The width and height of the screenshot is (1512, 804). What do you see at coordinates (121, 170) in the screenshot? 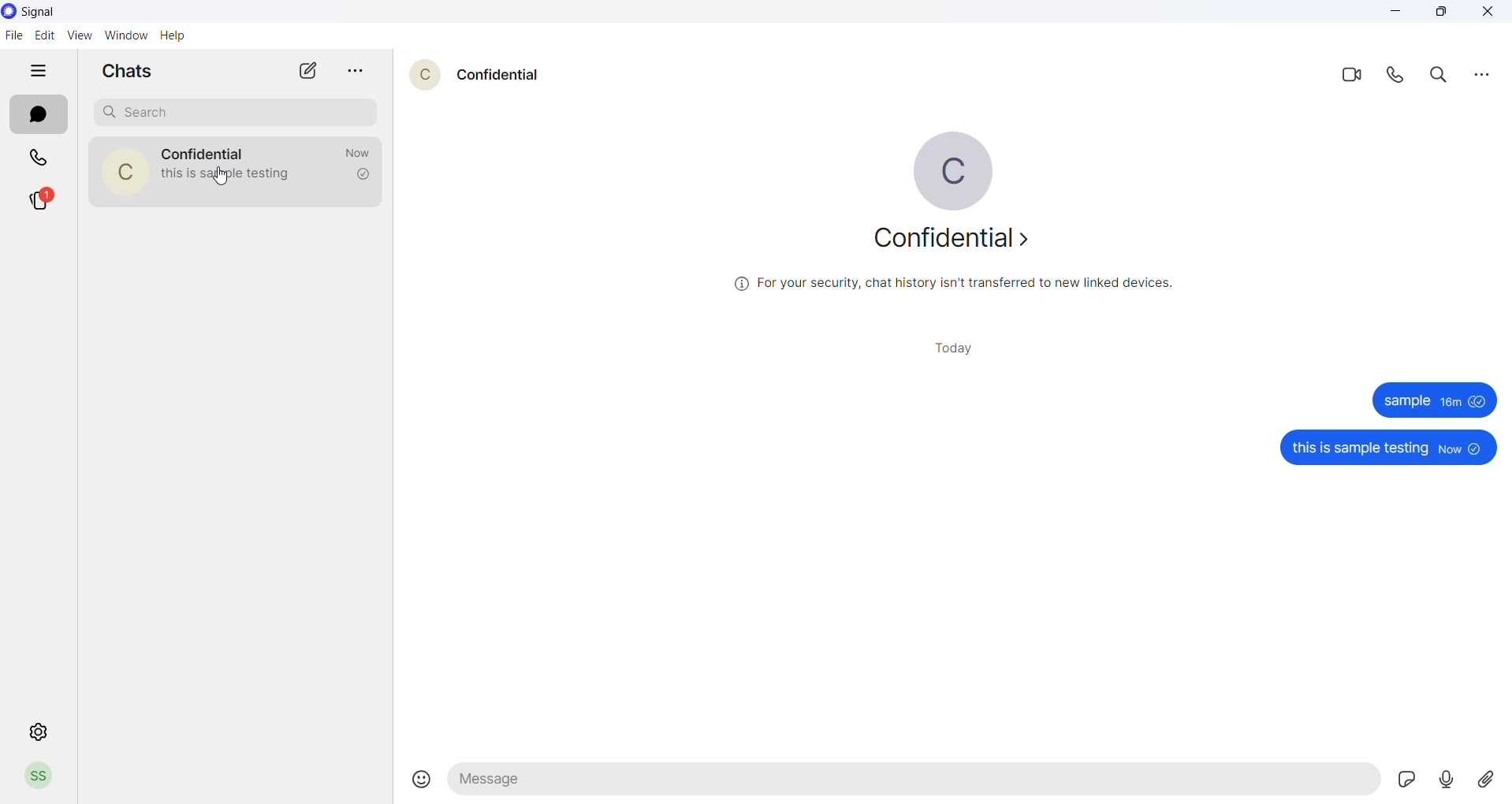
I see `C` at bounding box center [121, 170].